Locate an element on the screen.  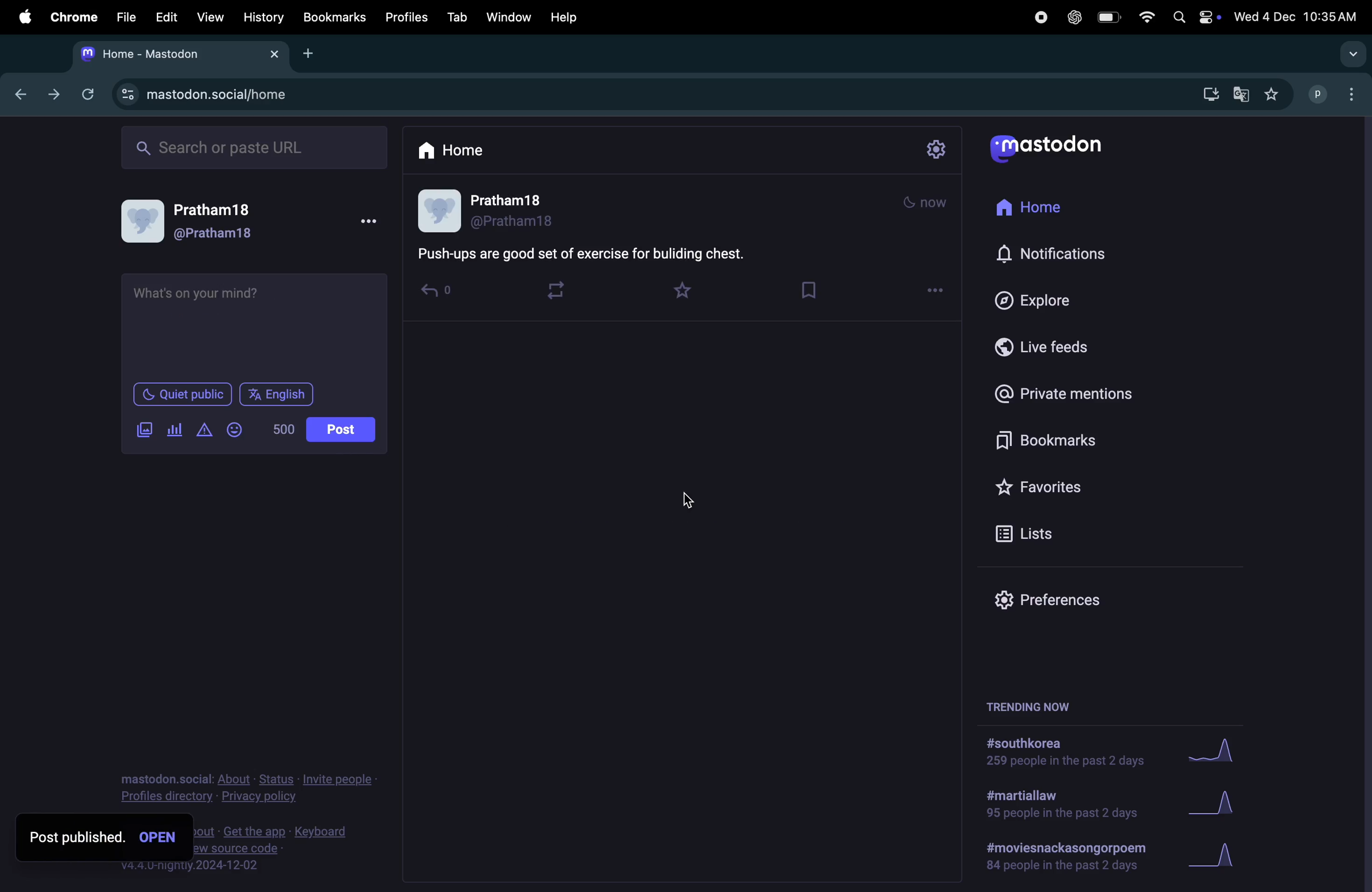
options is located at coordinates (936, 290).